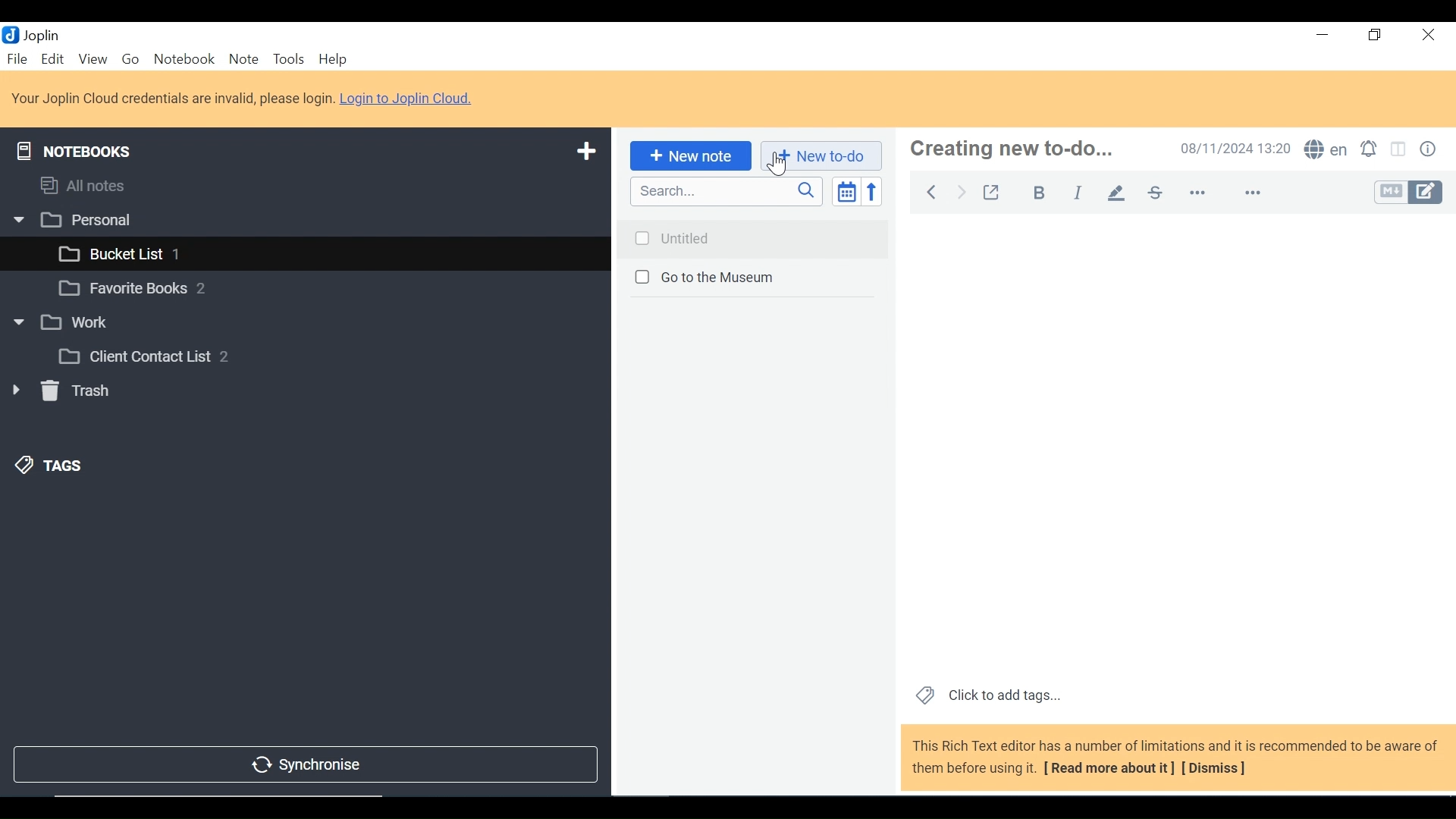 Image resolution: width=1456 pixels, height=819 pixels. What do you see at coordinates (988, 696) in the screenshot?
I see `Click to add tags` at bounding box center [988, 696].